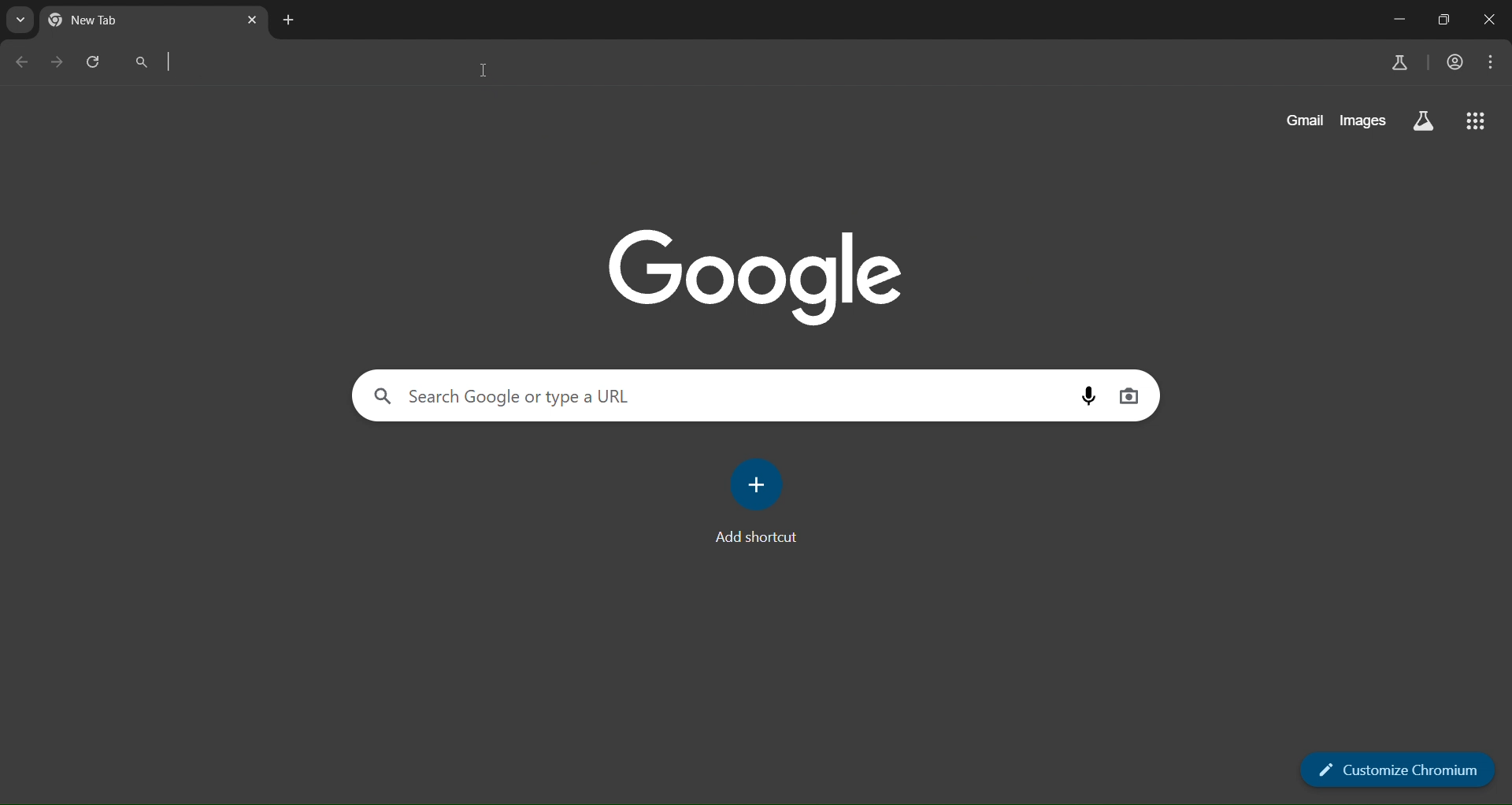  I want to click on New Tab, so click(108, 20).